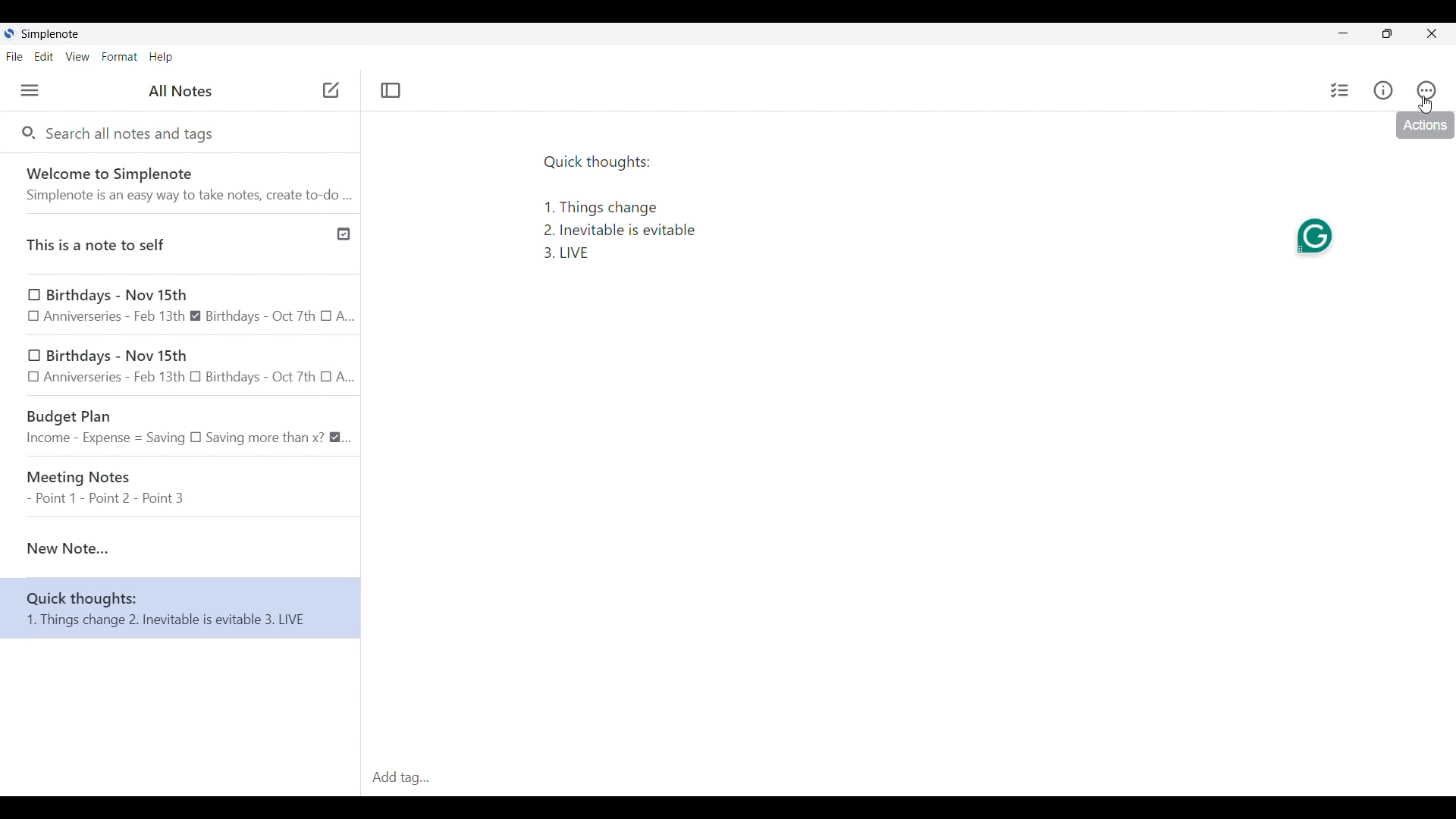 The width and height of the screenshot is (1456, 819). Describe the element at coordinates (180, 90) in the screenshot. I see `Title of left panel` at that location.